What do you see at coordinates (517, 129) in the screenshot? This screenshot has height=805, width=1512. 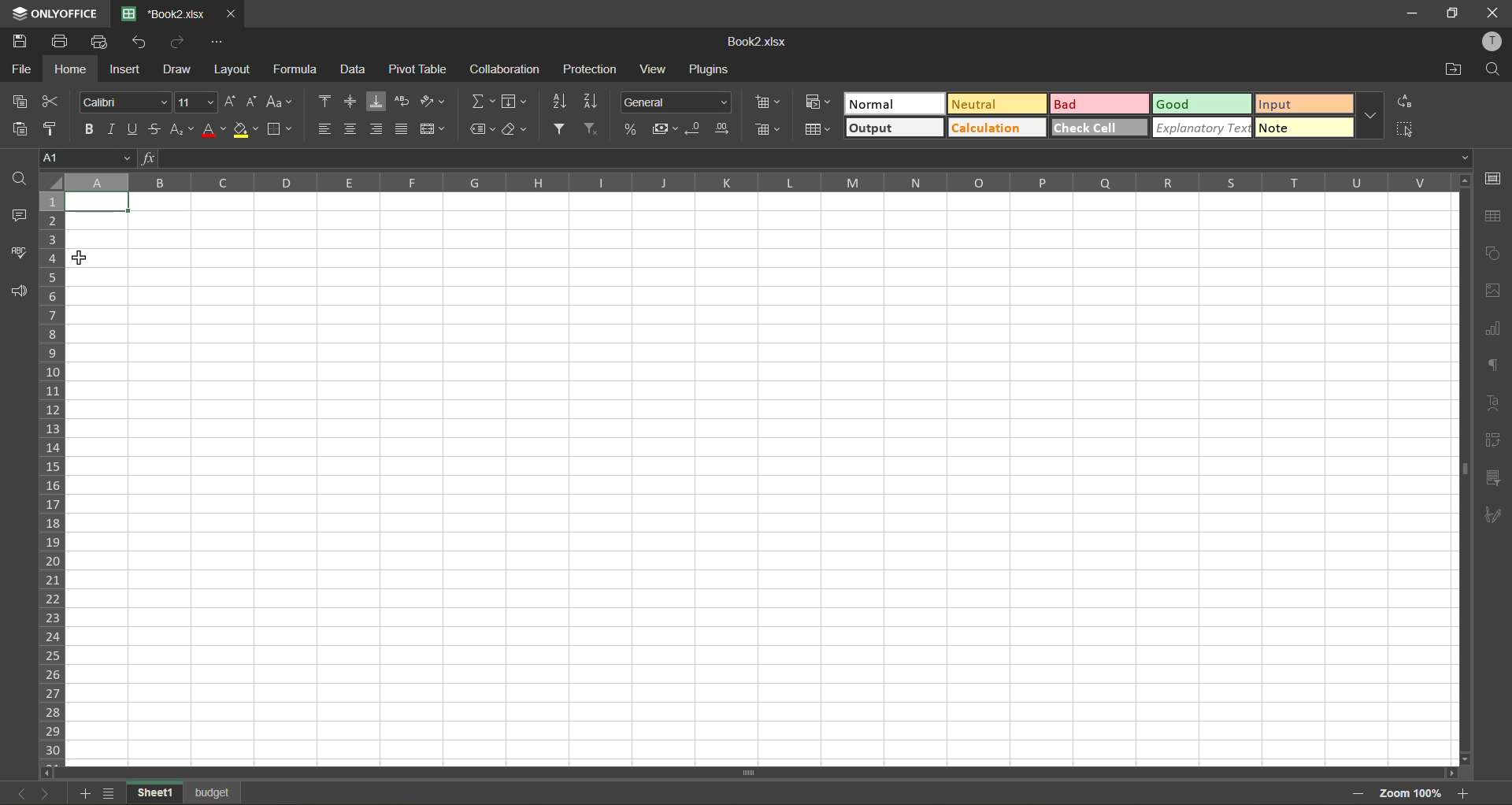 I see `clear` at bounding box center [517, 129].